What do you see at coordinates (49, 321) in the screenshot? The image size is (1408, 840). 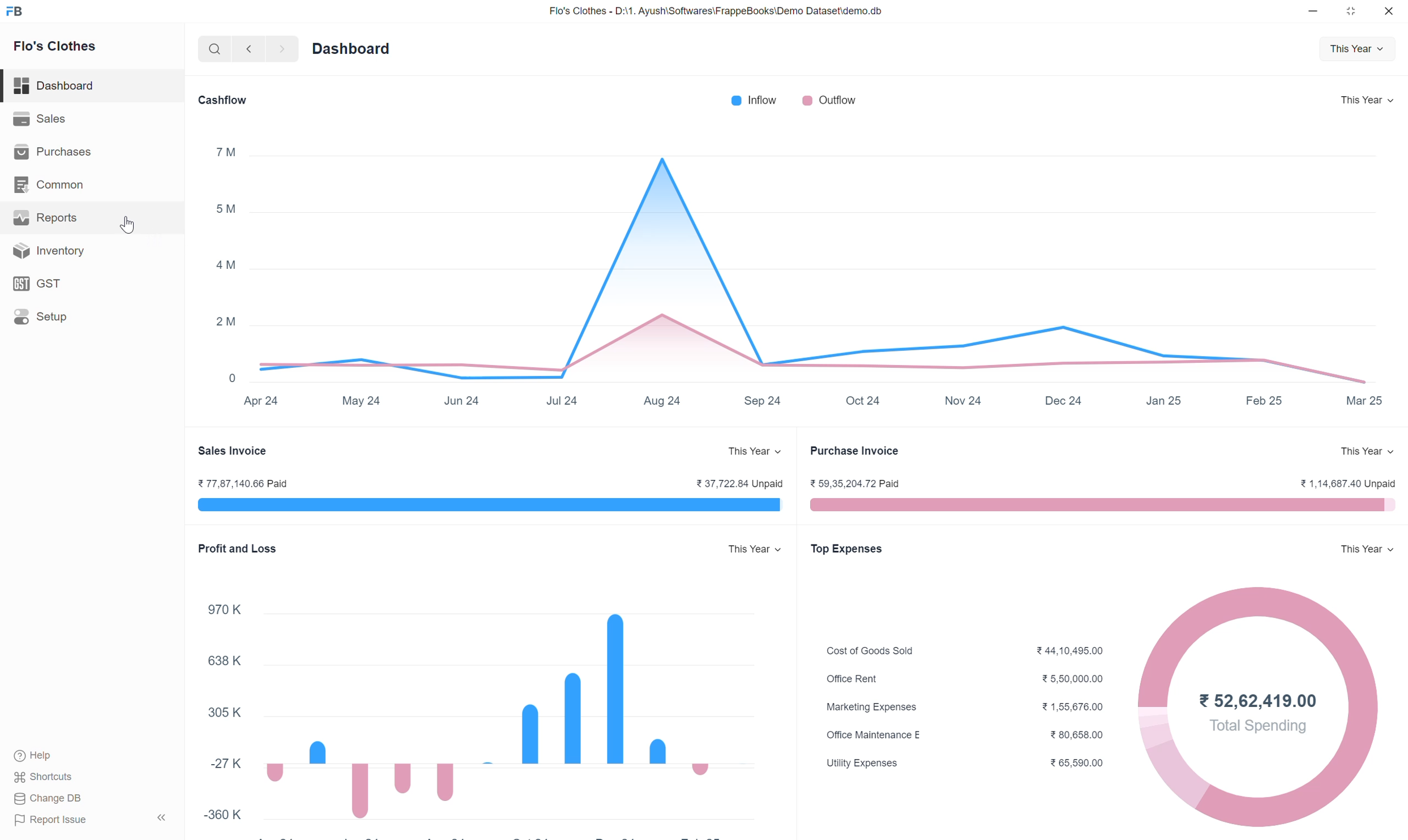 I see `Setup` at bounding box center [49, 321].